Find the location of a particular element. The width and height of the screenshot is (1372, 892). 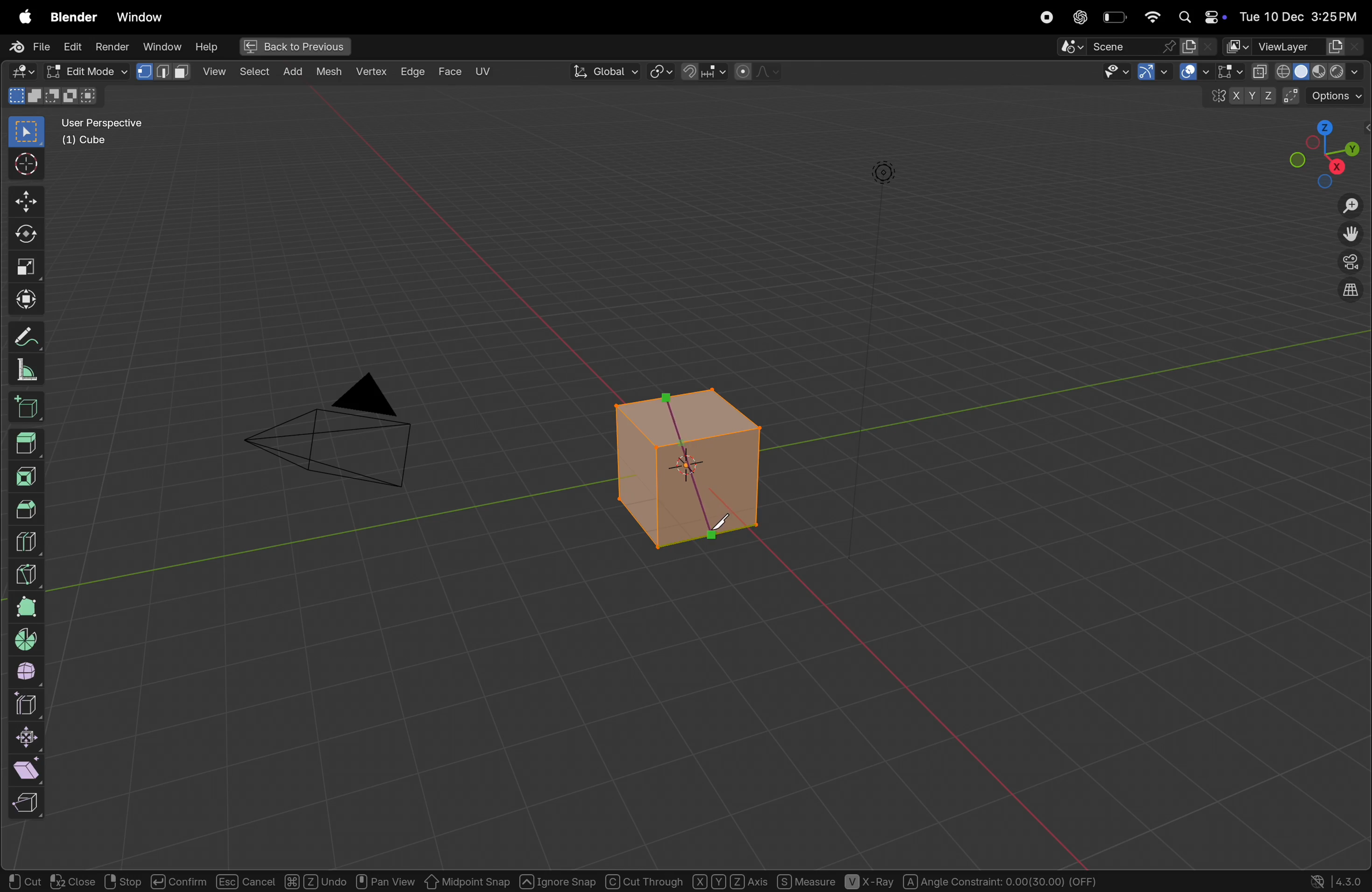

Global is located at coordinates (606, 71).